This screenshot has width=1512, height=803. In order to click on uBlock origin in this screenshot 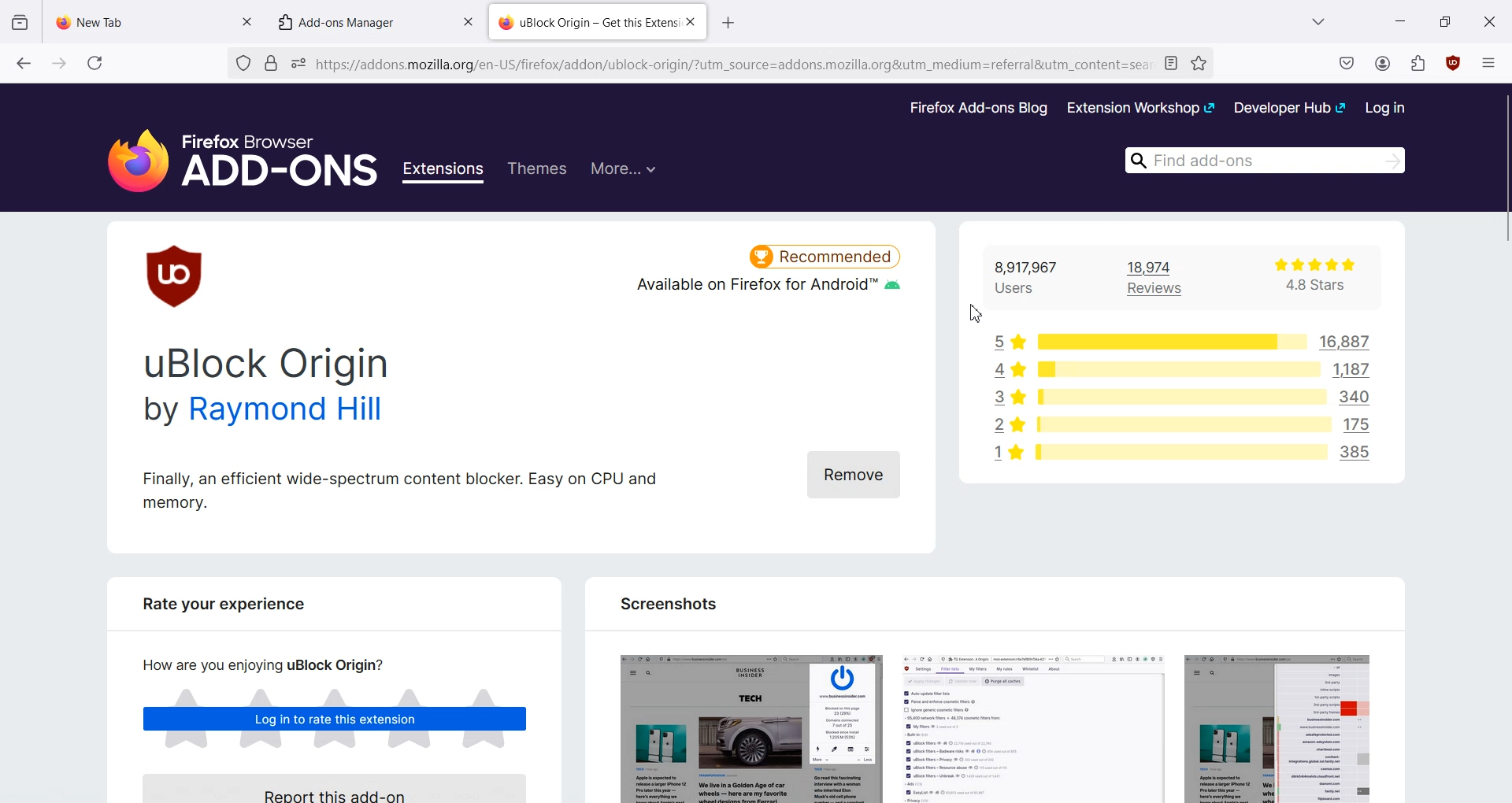, I will do `click(1455, 66)`.